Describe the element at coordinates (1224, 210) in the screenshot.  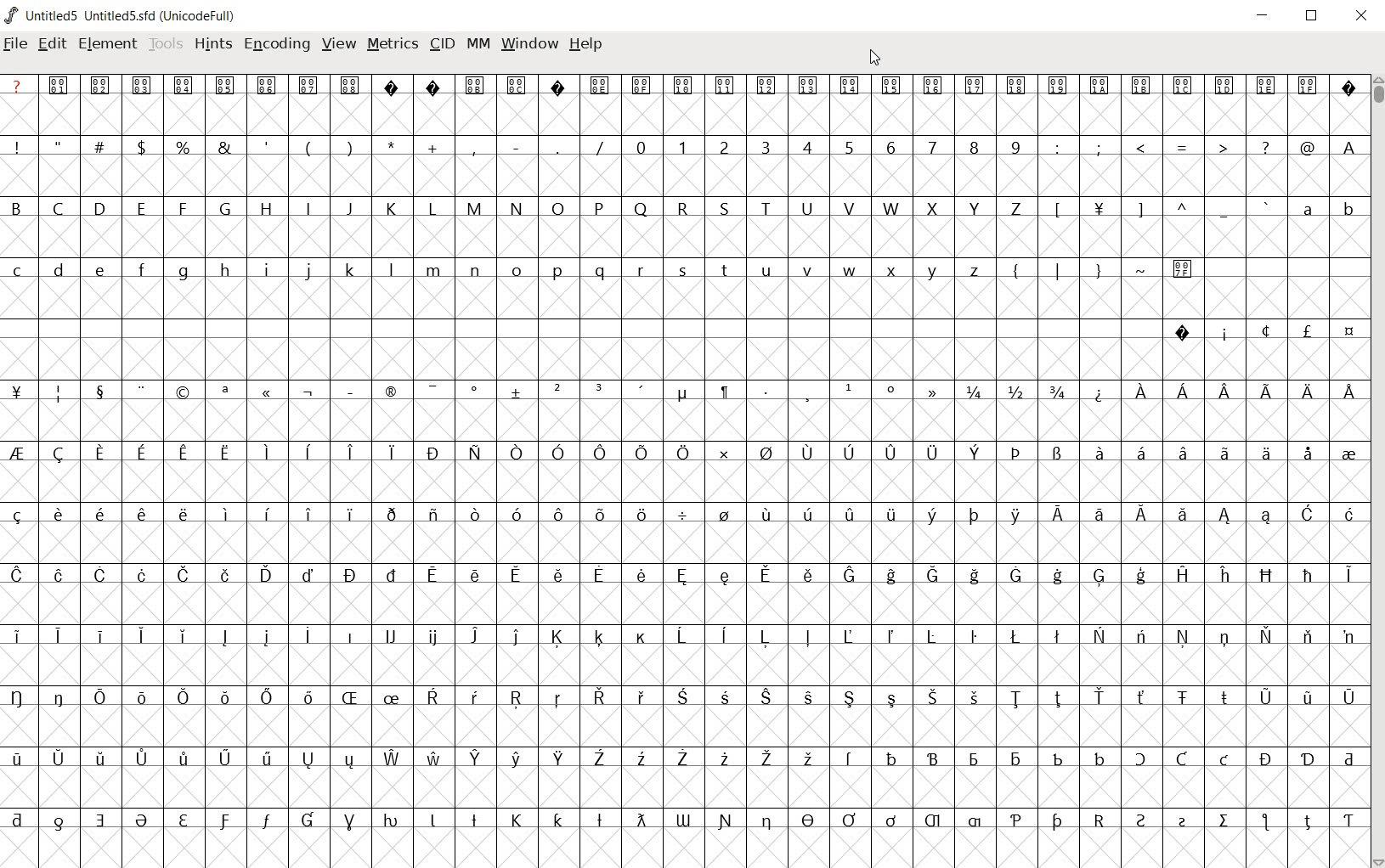
I see `_` at that location.